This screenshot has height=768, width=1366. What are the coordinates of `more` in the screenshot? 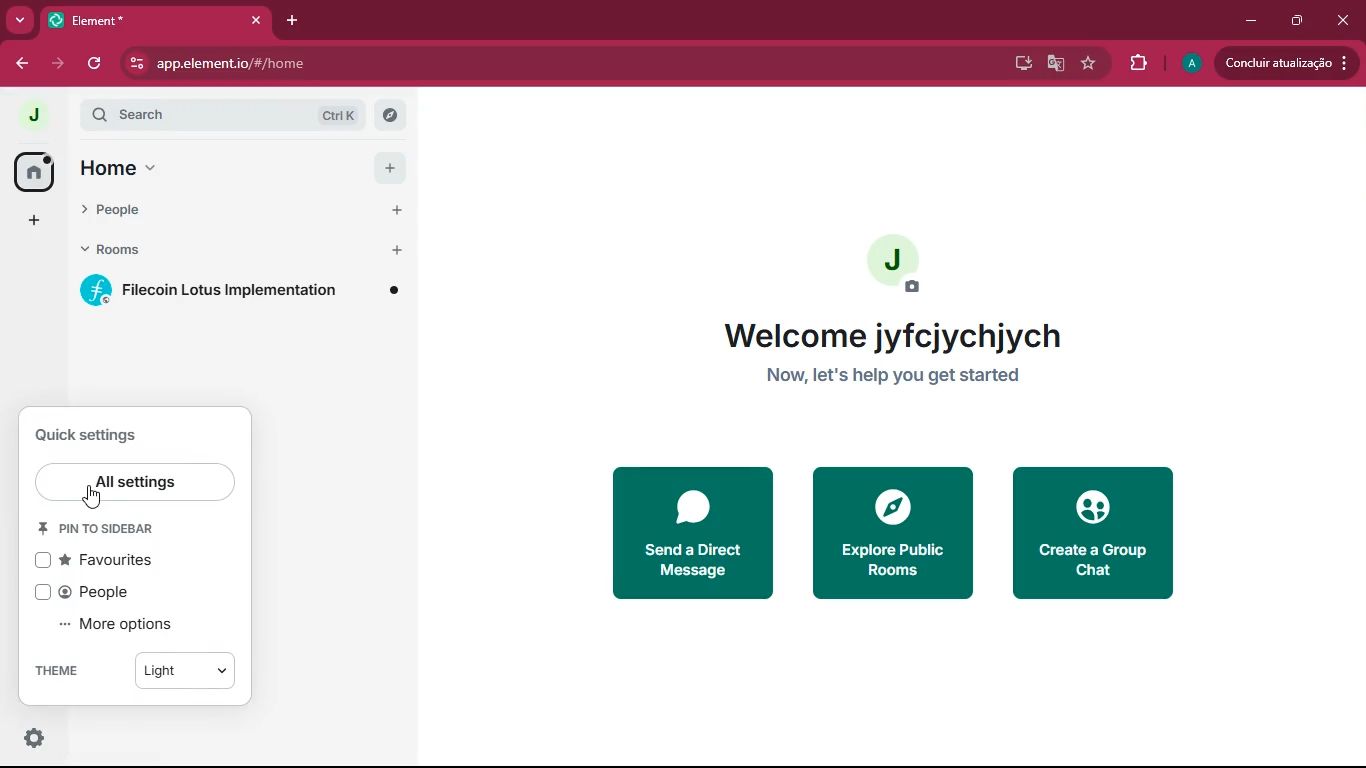 It's located at (21, 21).